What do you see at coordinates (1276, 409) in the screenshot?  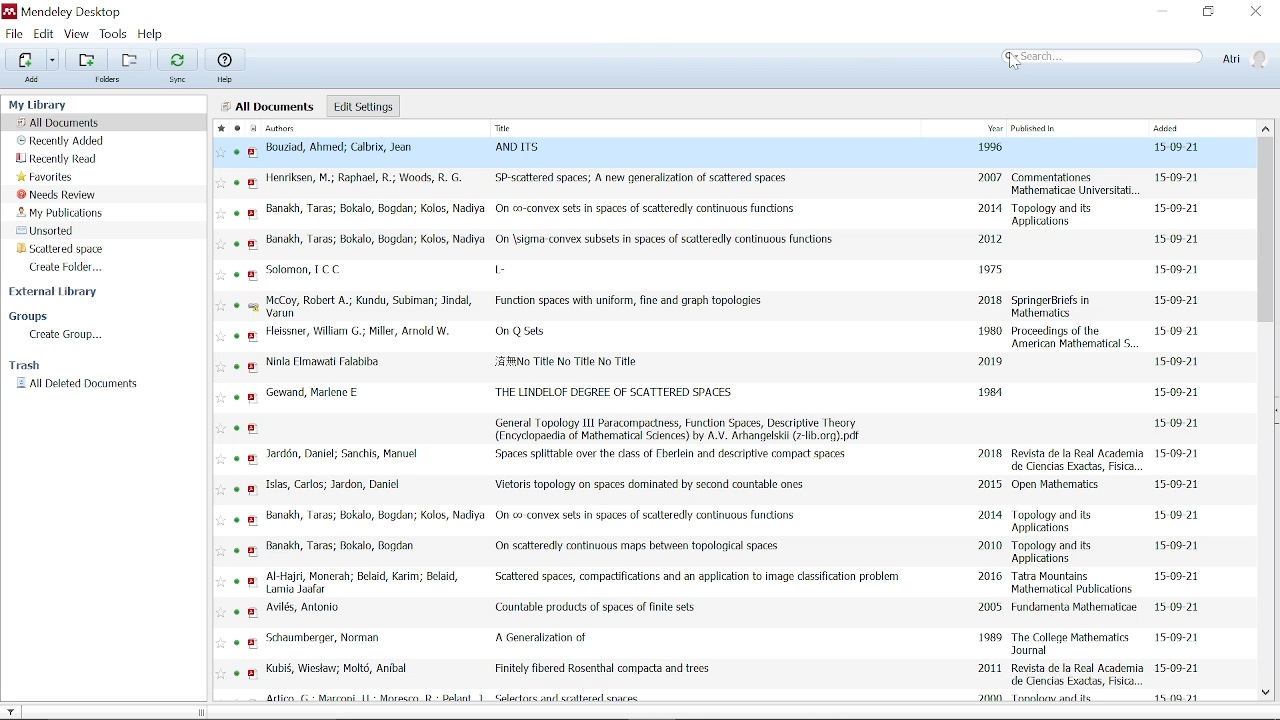 I see `Collapse/Expand` at bounding box center [1276, 409].